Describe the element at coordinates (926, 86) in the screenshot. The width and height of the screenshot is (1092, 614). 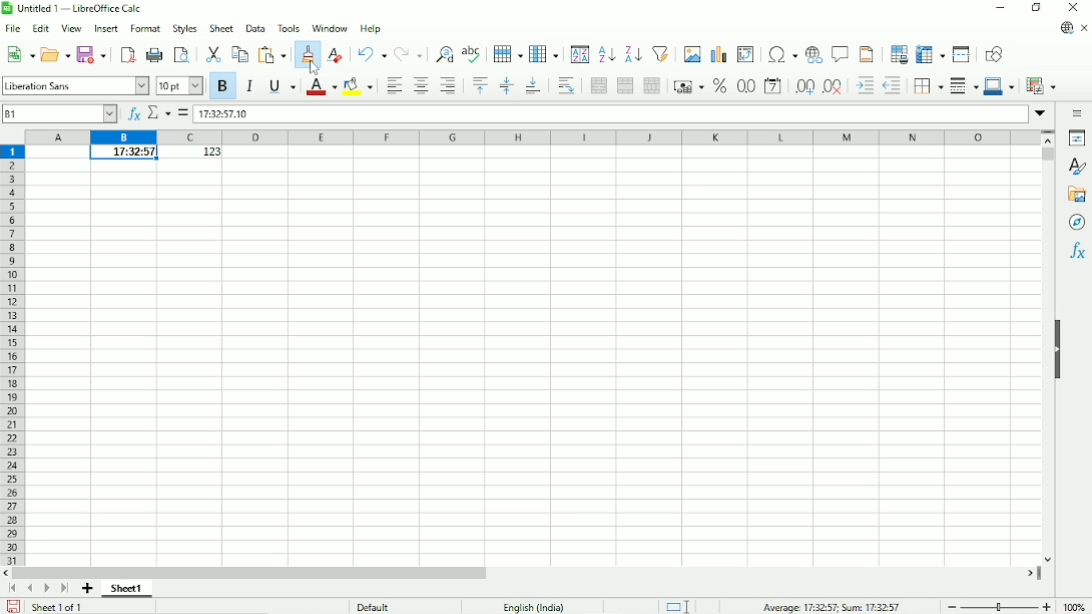
I see `Borders` at that location.